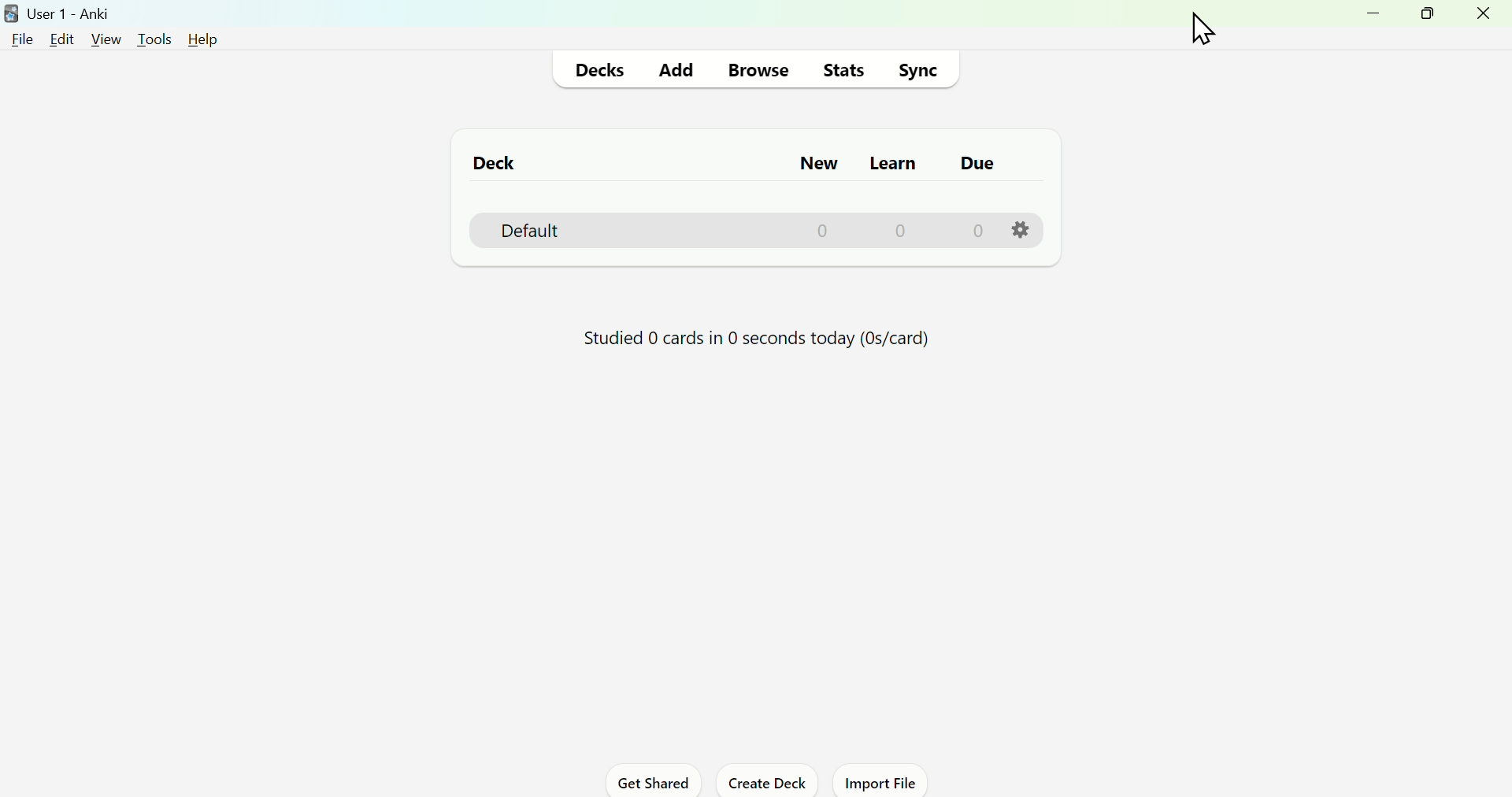 This screenshot has width=1512, height=797. Describe the element at coordinates (1434, 19) in the screenshot. I see `Maximize` at that location.